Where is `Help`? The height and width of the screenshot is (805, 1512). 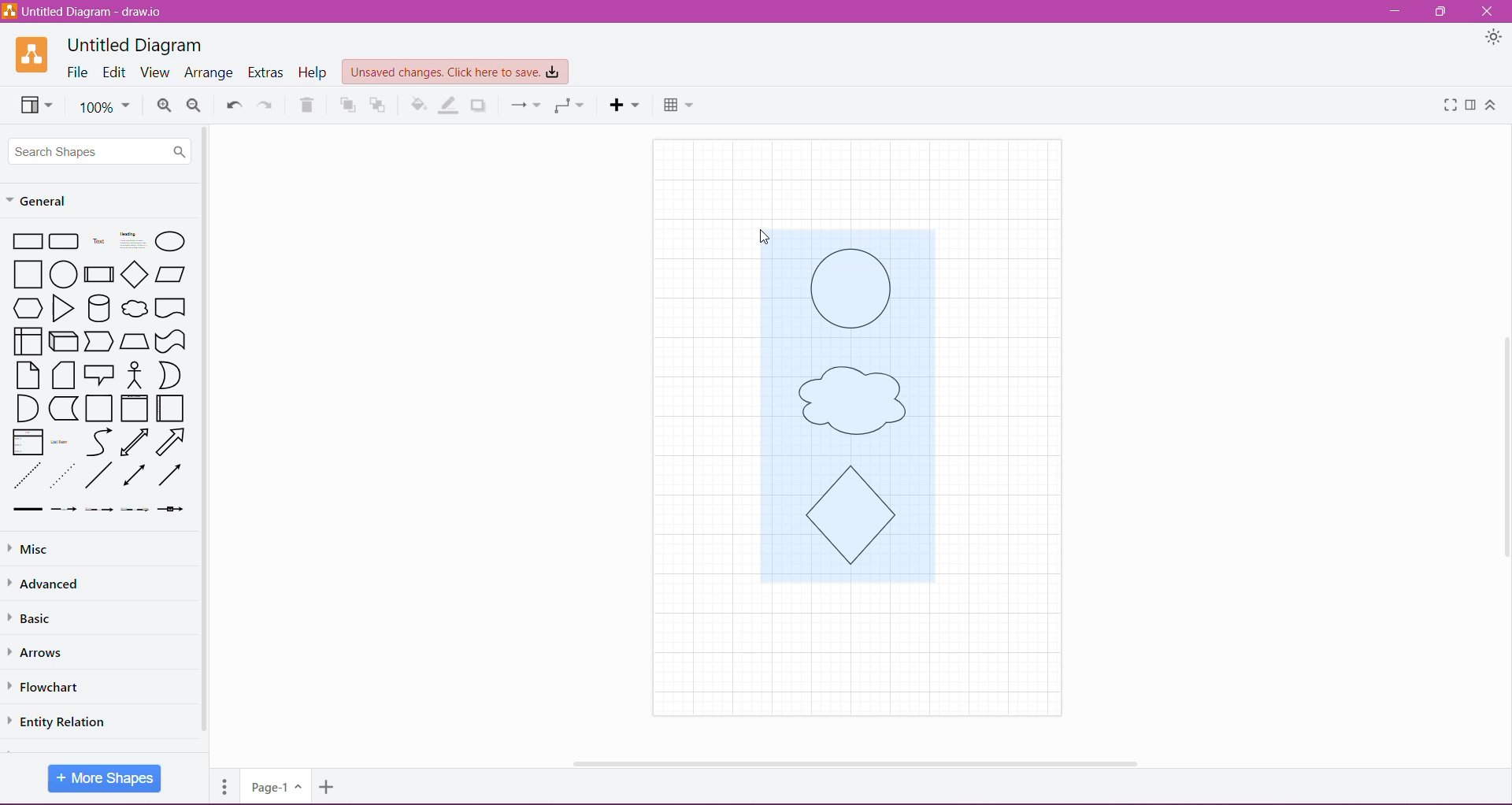 Help is located at coordinates (314, 72).